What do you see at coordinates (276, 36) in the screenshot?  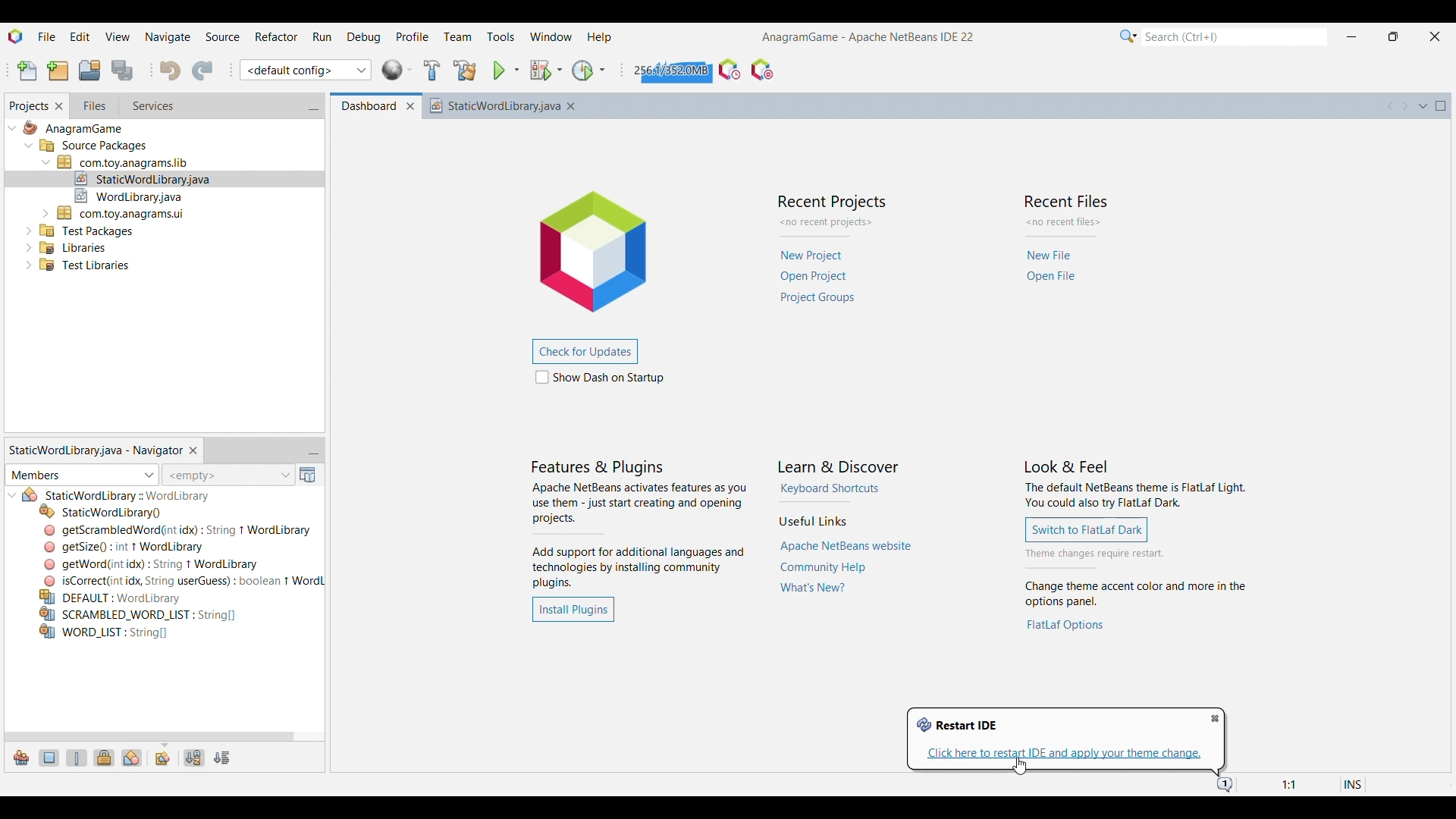 I see `Refactor menu` at bounding box center [276, 36].